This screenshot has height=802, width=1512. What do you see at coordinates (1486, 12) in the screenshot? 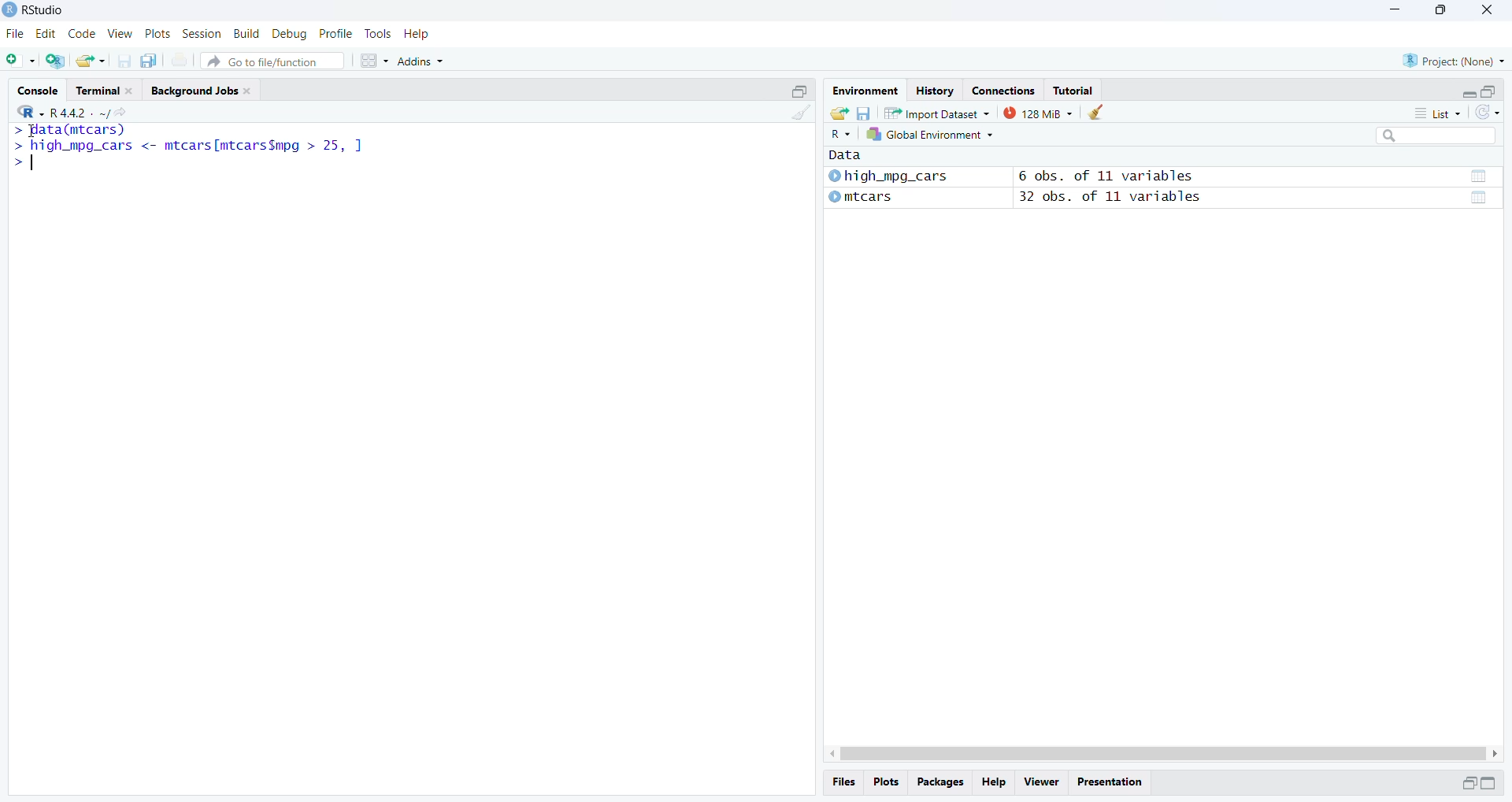
I see `close` at bounding box center [1486, 12].